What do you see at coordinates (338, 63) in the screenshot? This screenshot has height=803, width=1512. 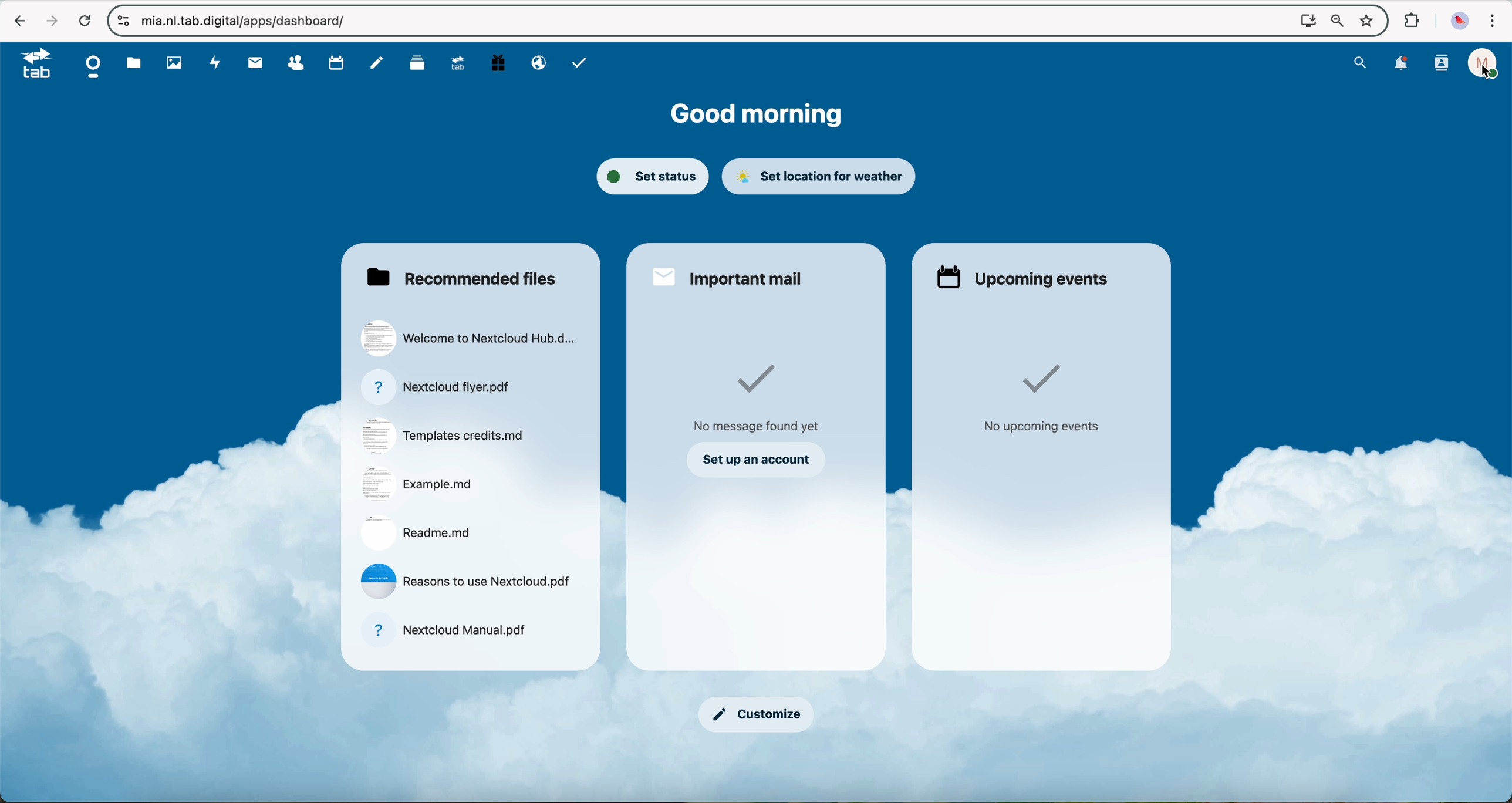 I see `calendar` at bounding box center [338, 63].